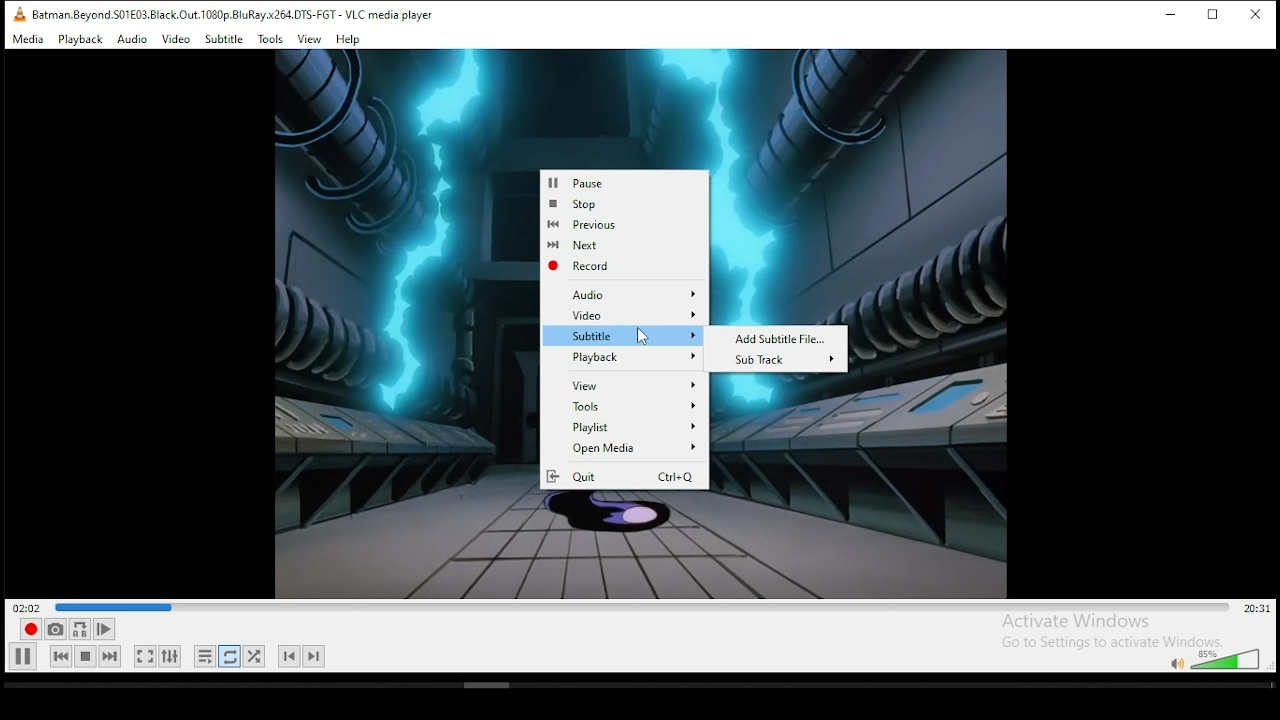  Describe the element at coordinates (145, 656) in the screenshot. I see `toggle video in fullscreen` at that location.